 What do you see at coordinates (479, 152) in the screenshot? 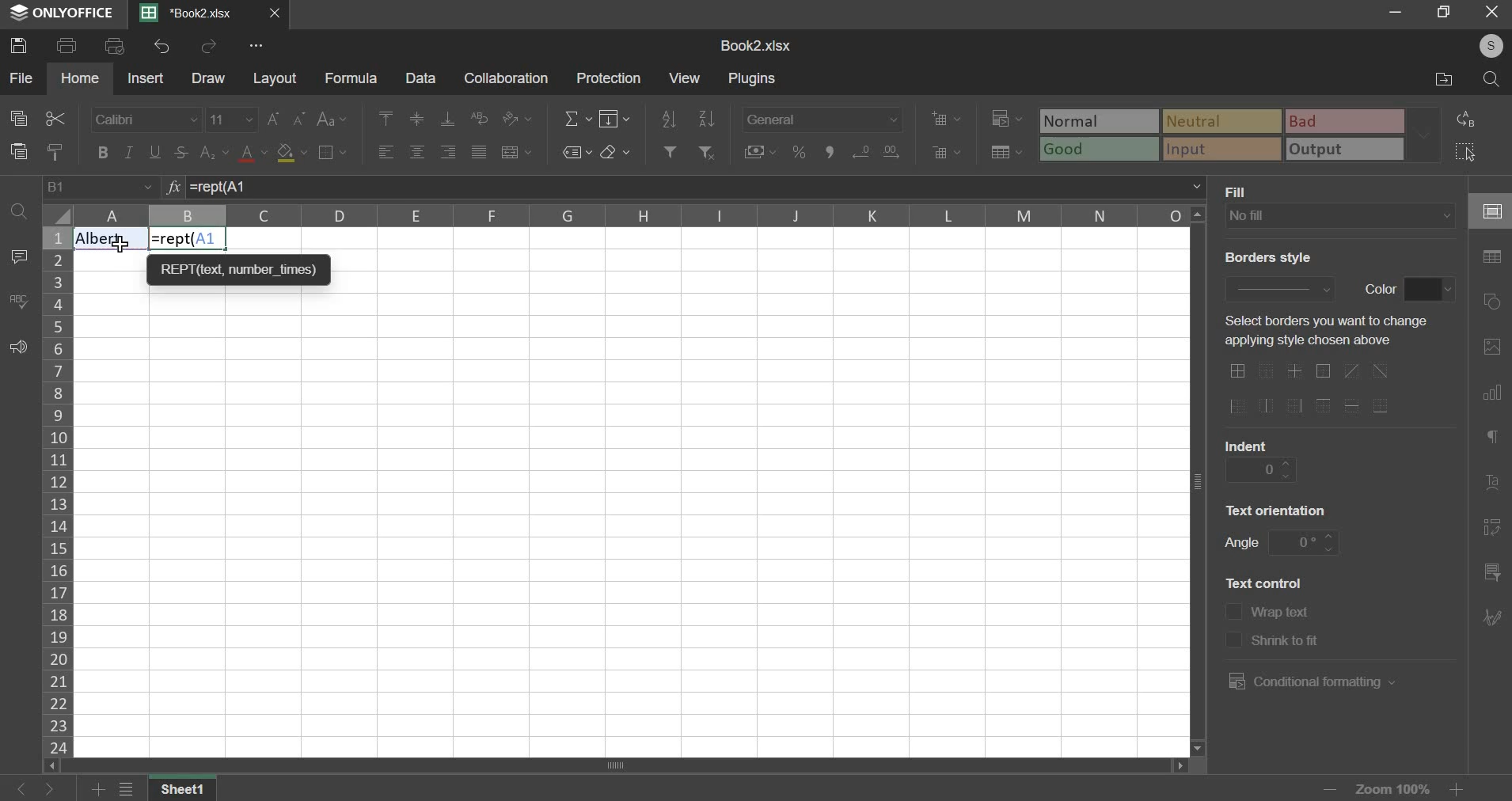
I see `justified` at bounding box center [479, 152].